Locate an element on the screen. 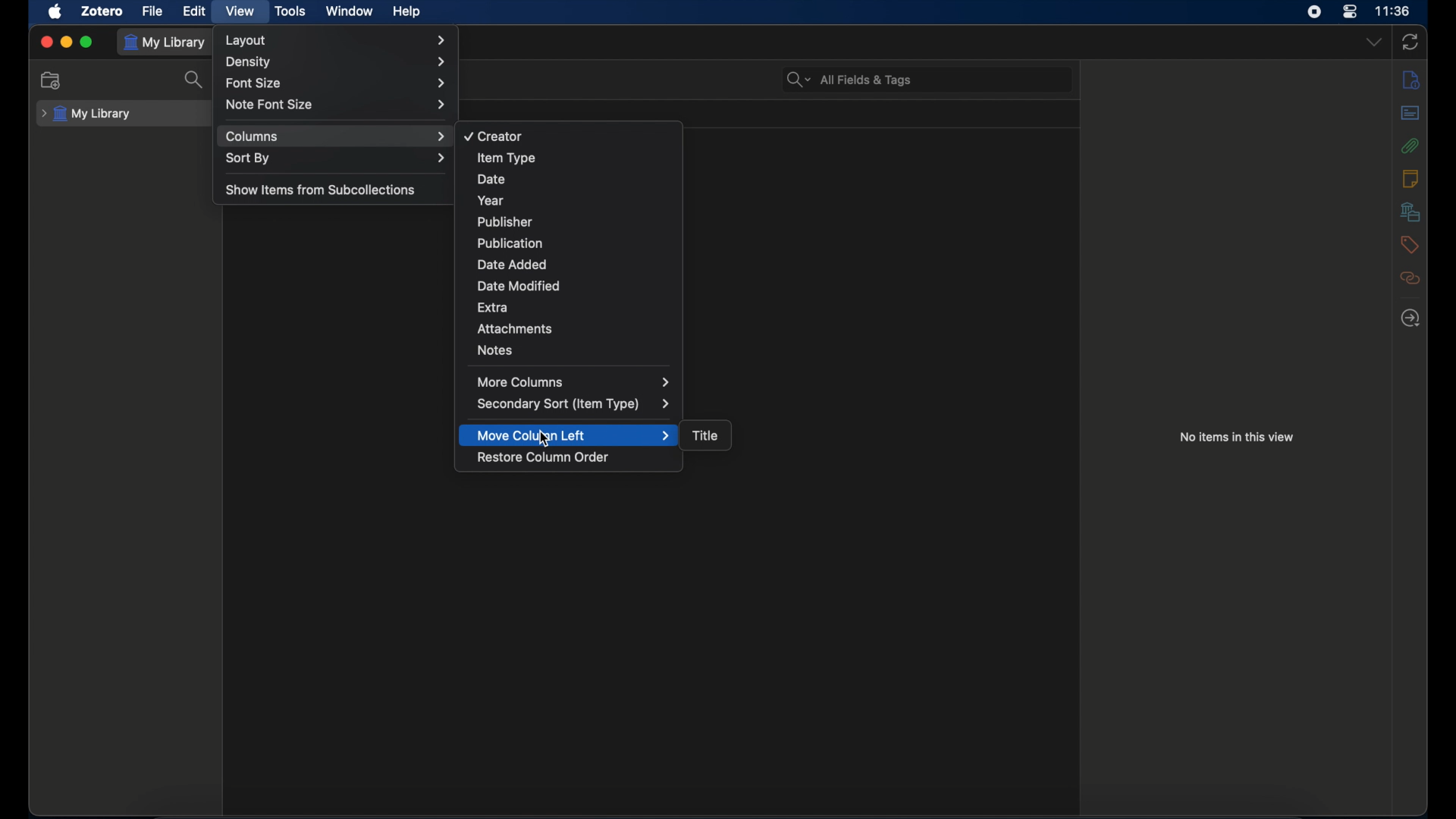  date added is located at coordinates (513, 265).